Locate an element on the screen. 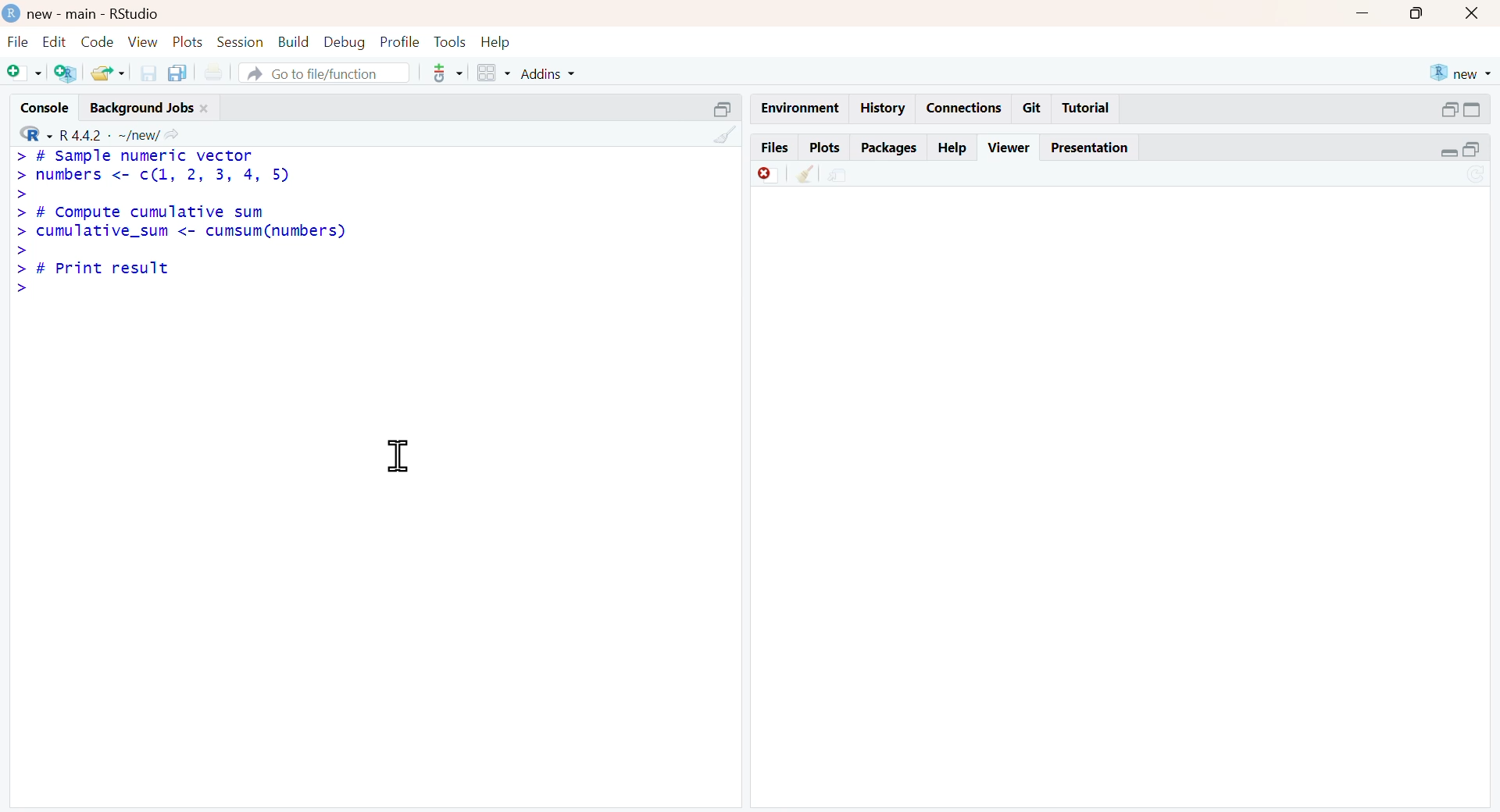 The image size is (1500, 812). open in separate window is located at coordinates (724, 109).